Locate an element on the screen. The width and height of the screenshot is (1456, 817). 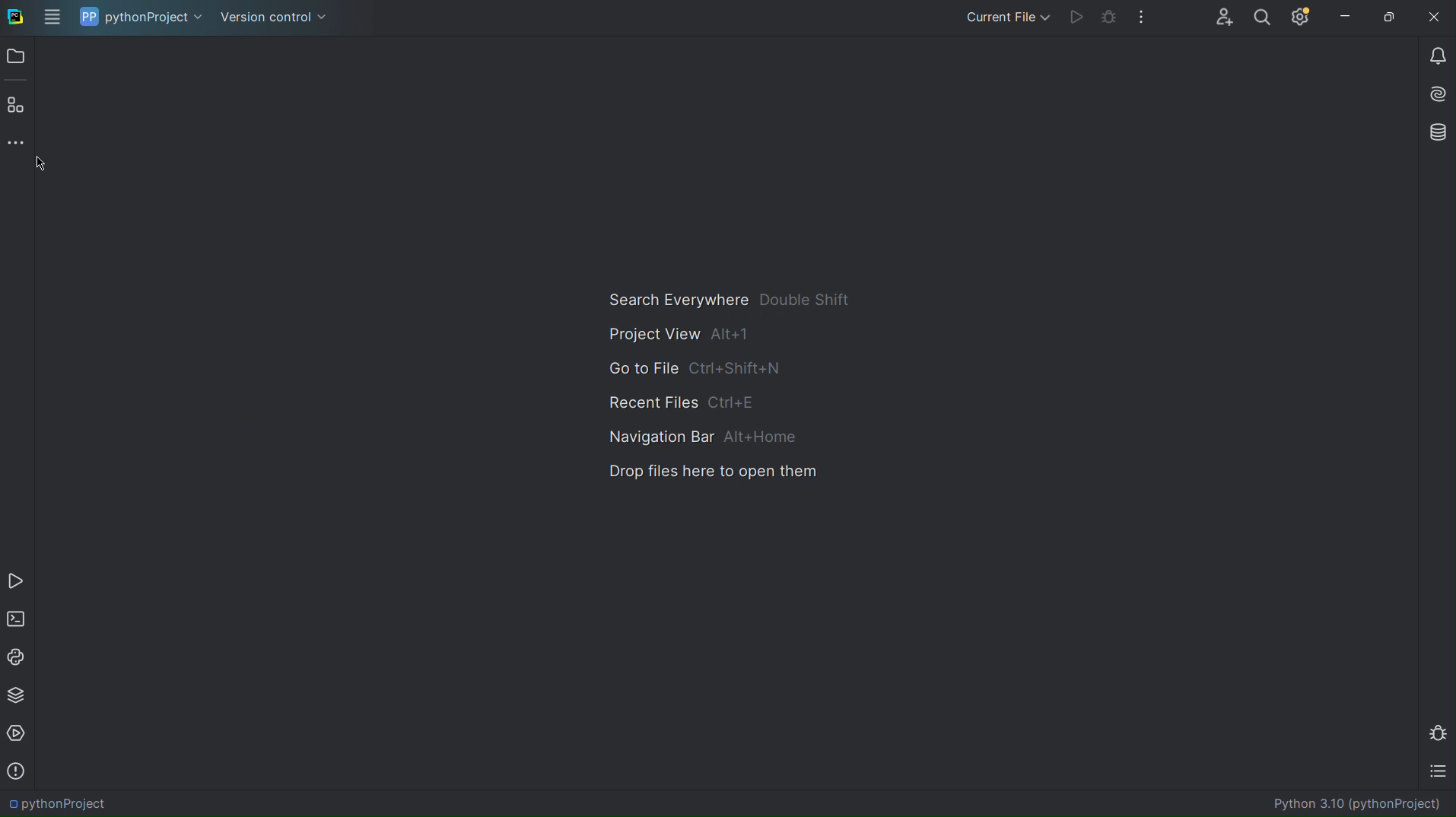
Minimize is located at coordinates (1346, 18).